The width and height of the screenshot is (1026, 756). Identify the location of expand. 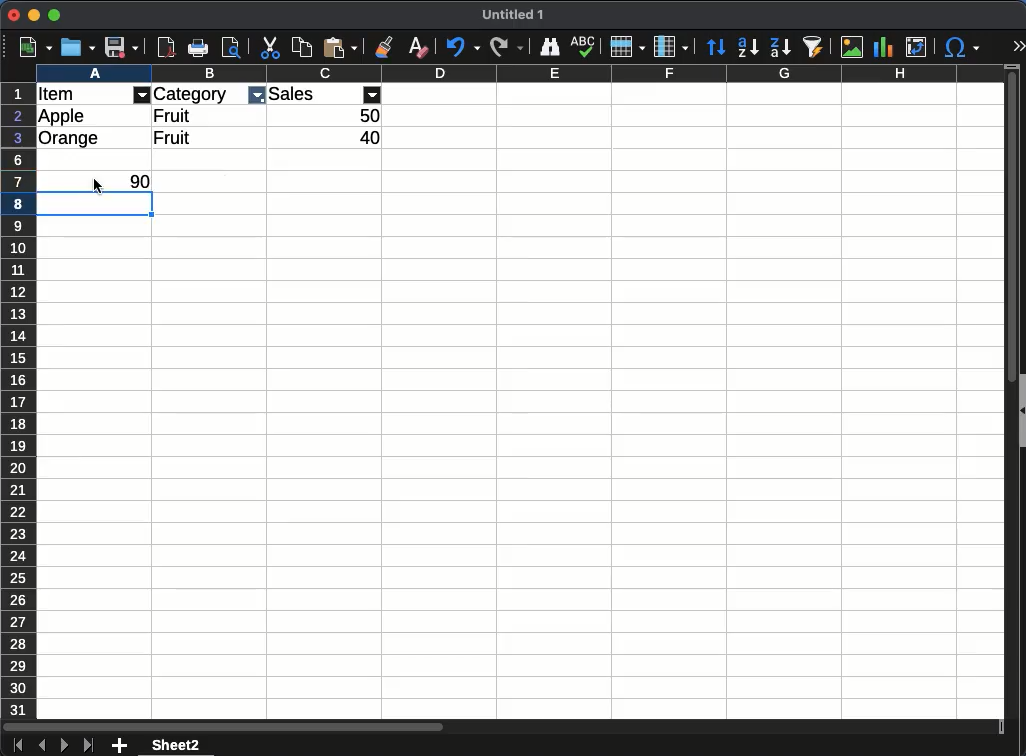
(1016, 45).